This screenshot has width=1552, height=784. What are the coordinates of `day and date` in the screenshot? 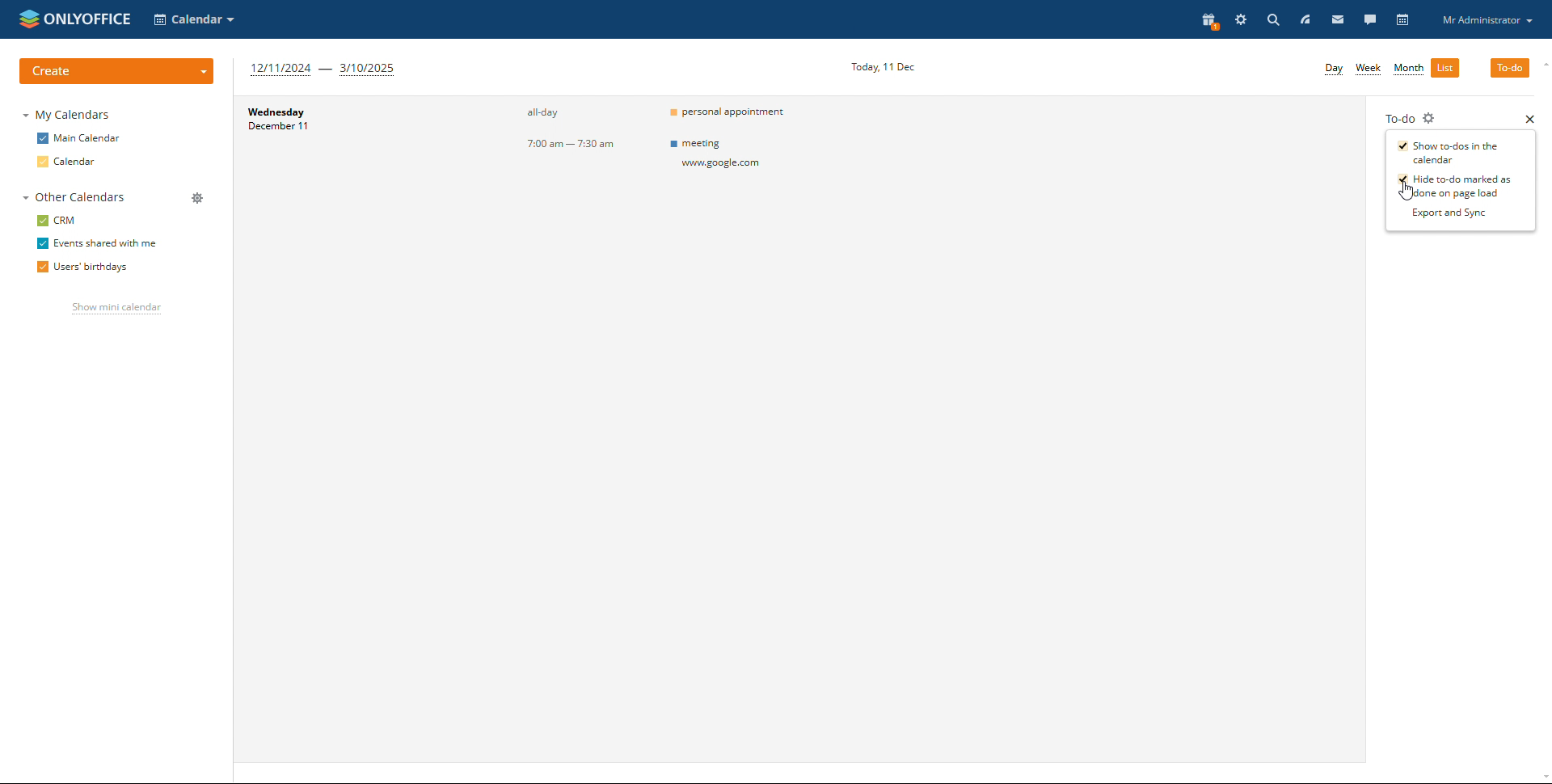 It's located at (310, 124).